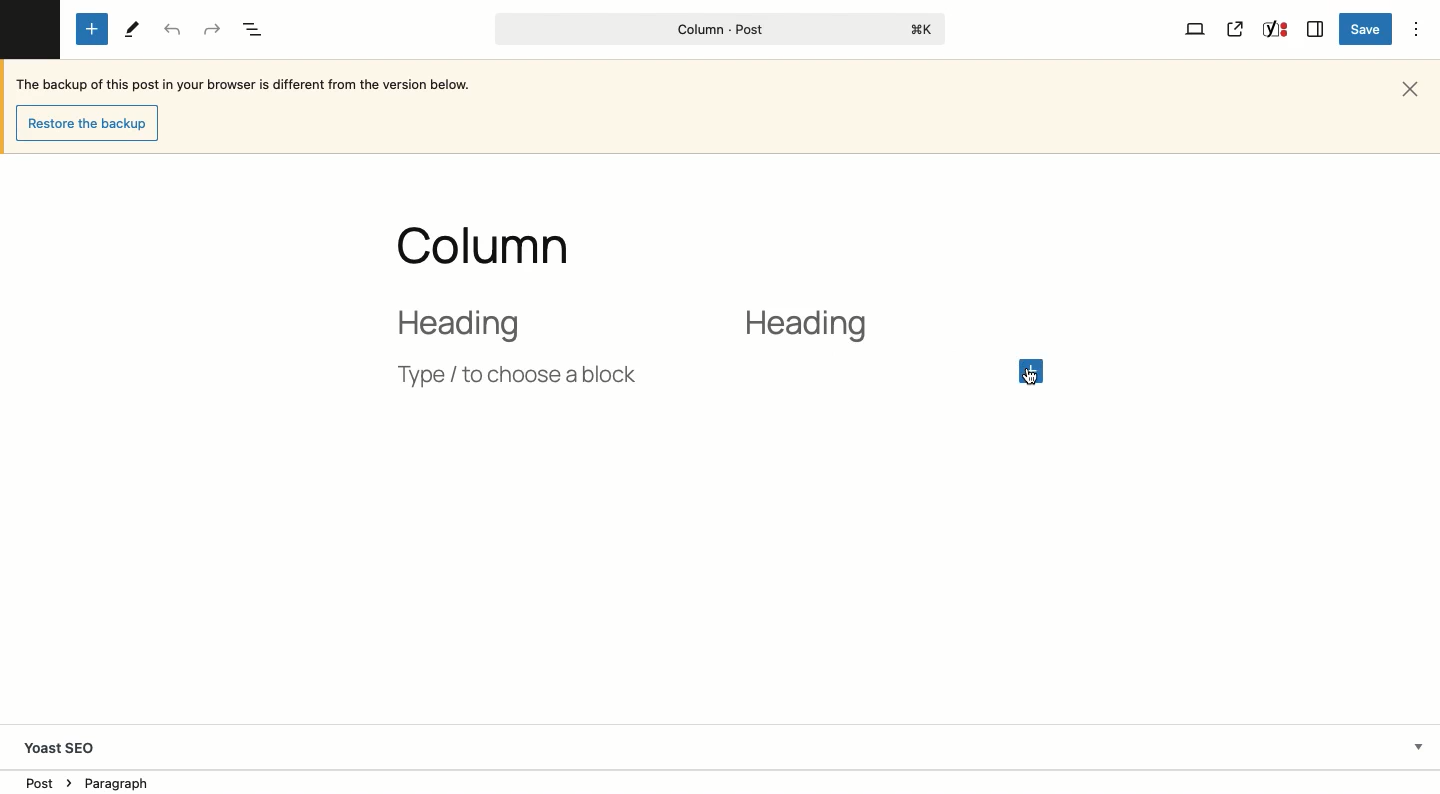 This screenshot has height=794, width=1440. Describe the element at coordinates (68, 748) in the screenshot. I see `Yoast SEO` at that location.